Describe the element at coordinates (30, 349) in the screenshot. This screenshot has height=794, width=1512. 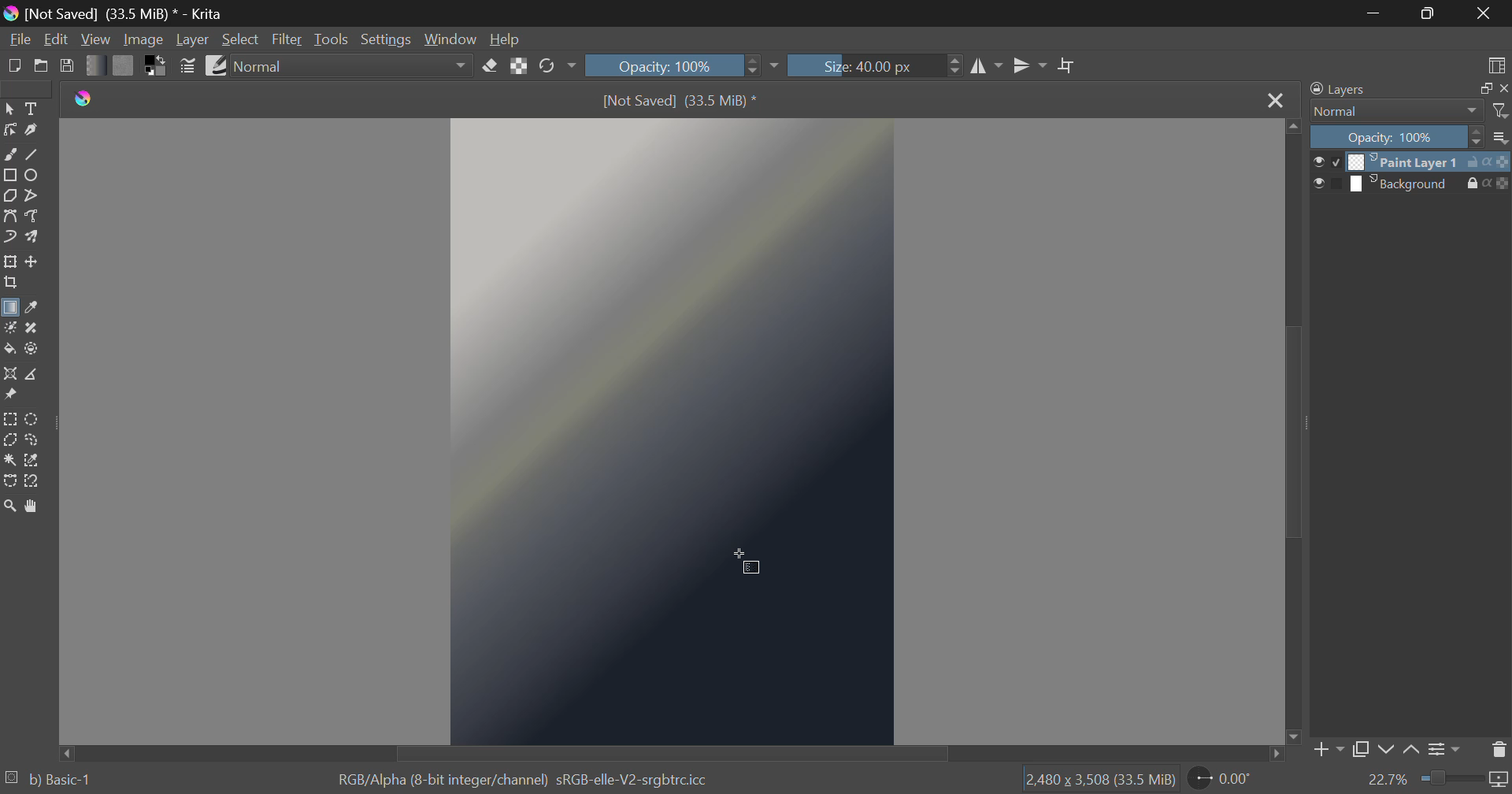
I see `Enclose and Fill` at that location.